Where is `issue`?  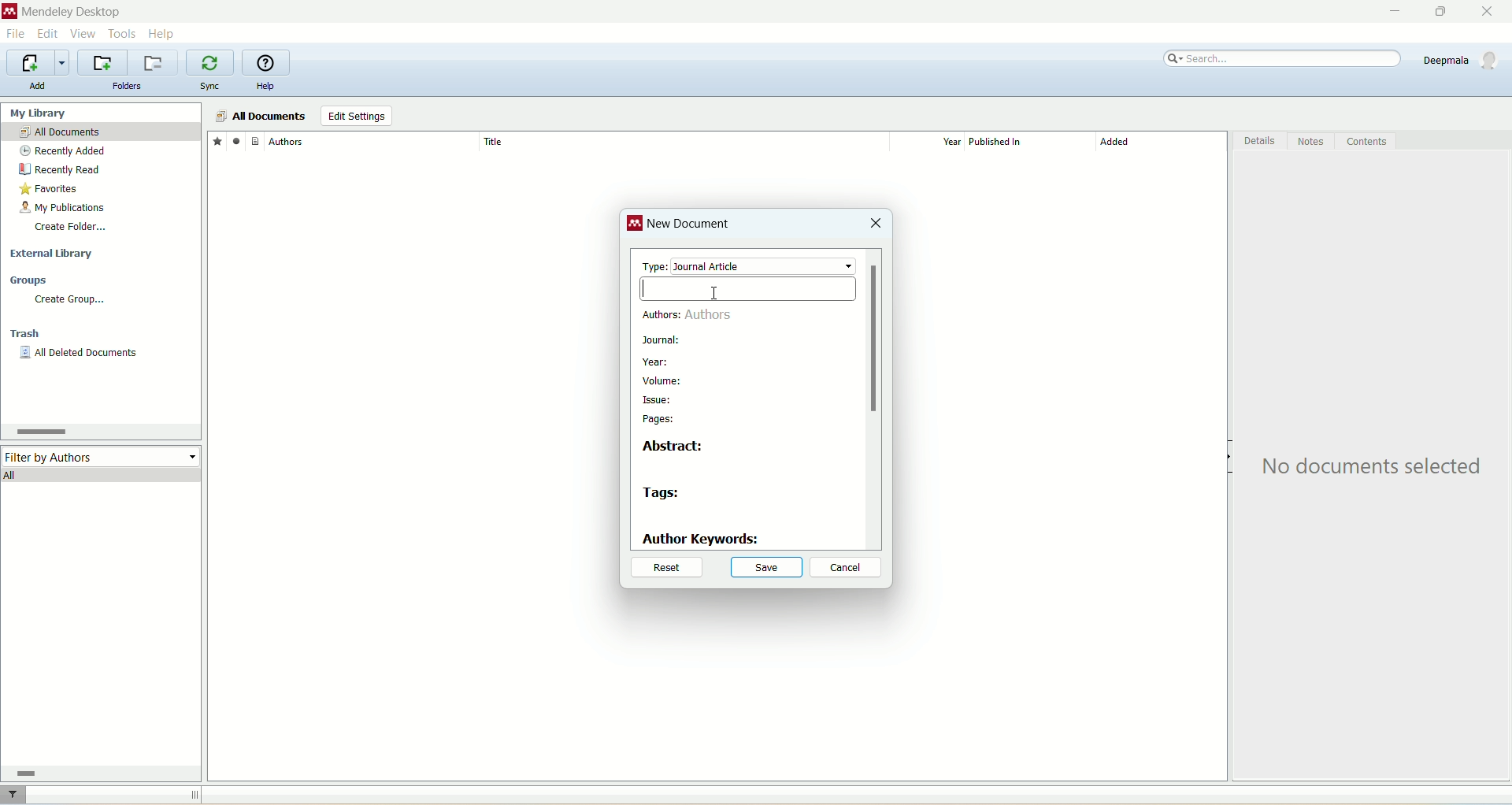 issue is located at coordinates (658, 402).